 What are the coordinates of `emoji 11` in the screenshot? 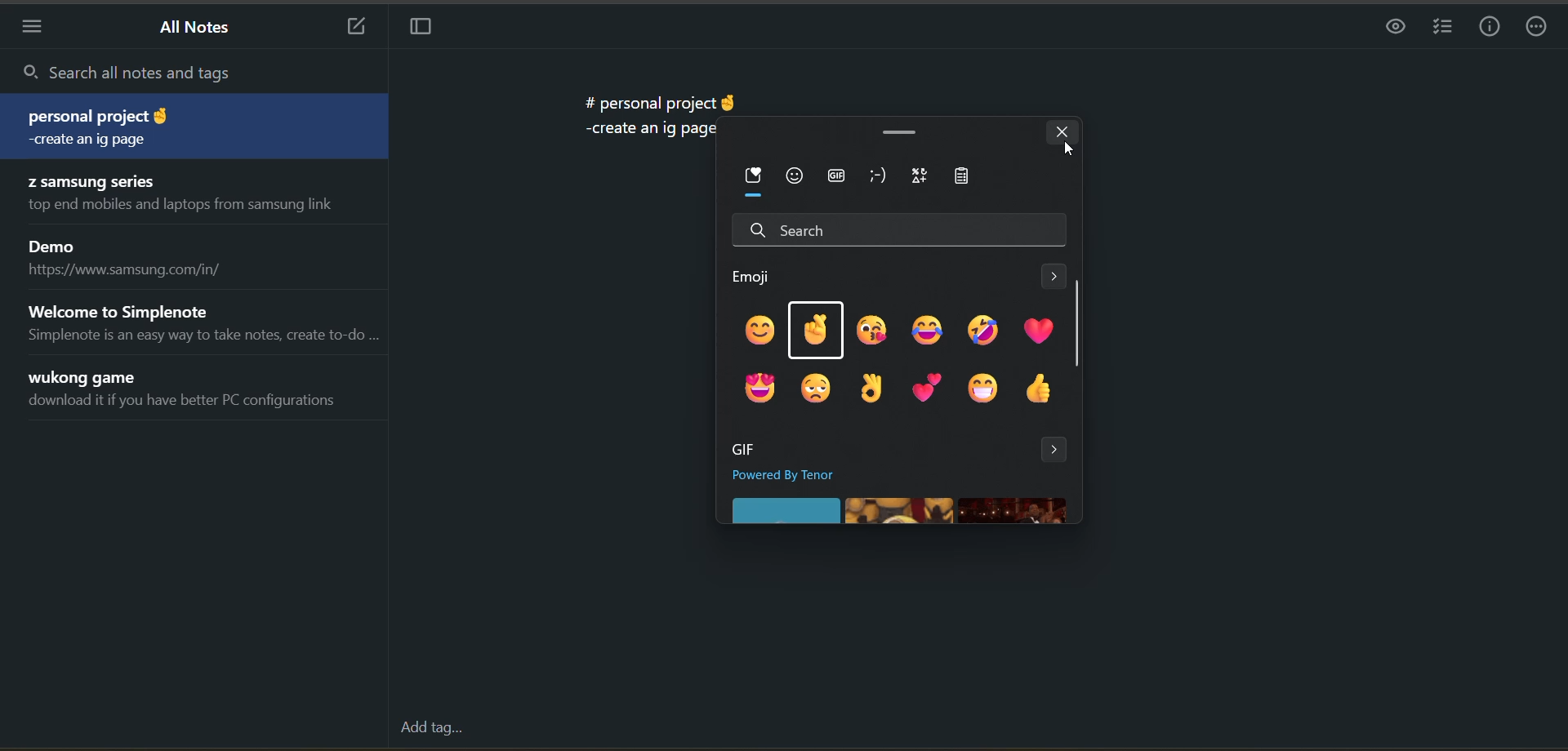 It's located at (985, 390).